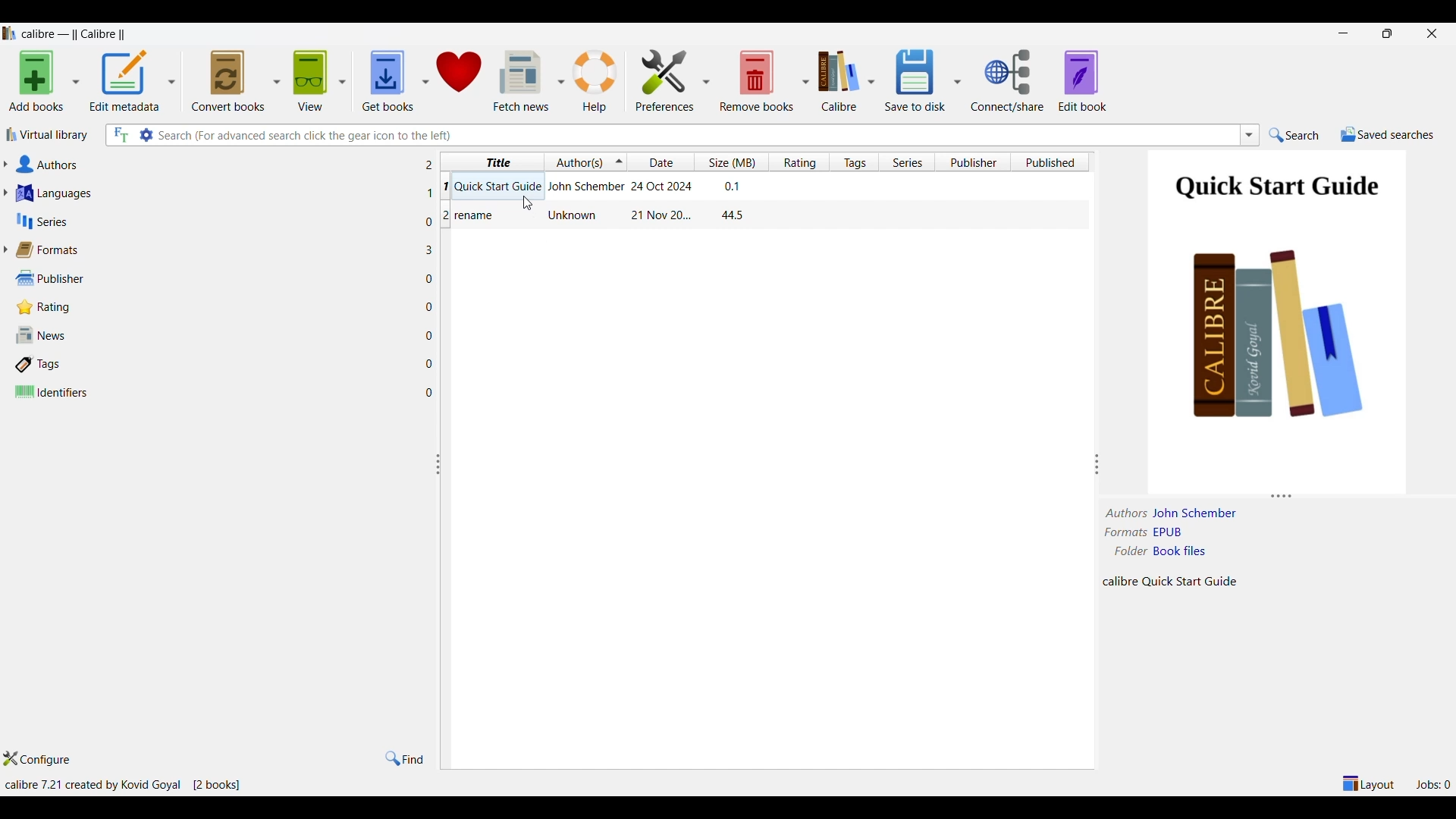 The width and height of the screenshot is (1456, 819). I want to click on book files, so click(1179, 551).